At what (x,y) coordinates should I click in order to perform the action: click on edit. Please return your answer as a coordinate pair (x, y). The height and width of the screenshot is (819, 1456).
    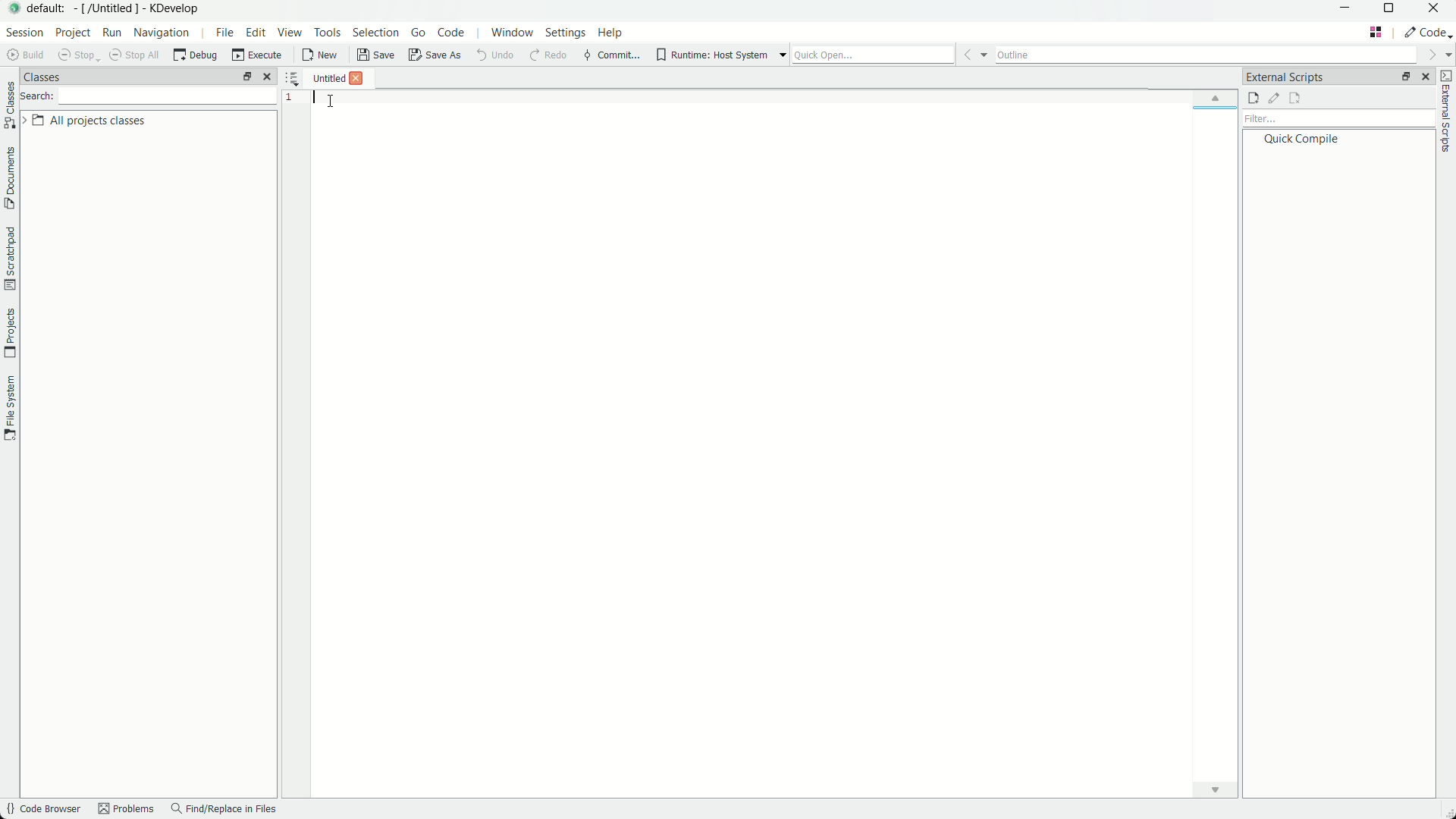
    Looking at the image, I should click on (253, 32).